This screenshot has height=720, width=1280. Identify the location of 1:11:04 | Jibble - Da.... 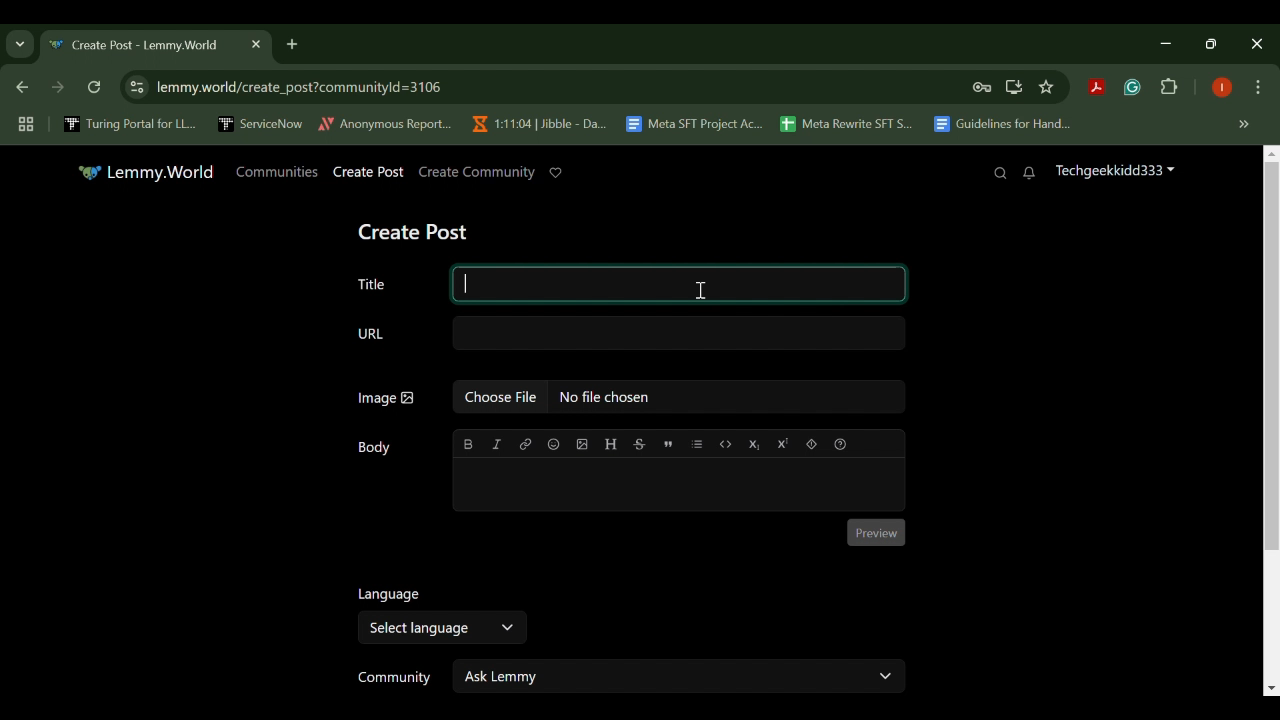
(538, 124).